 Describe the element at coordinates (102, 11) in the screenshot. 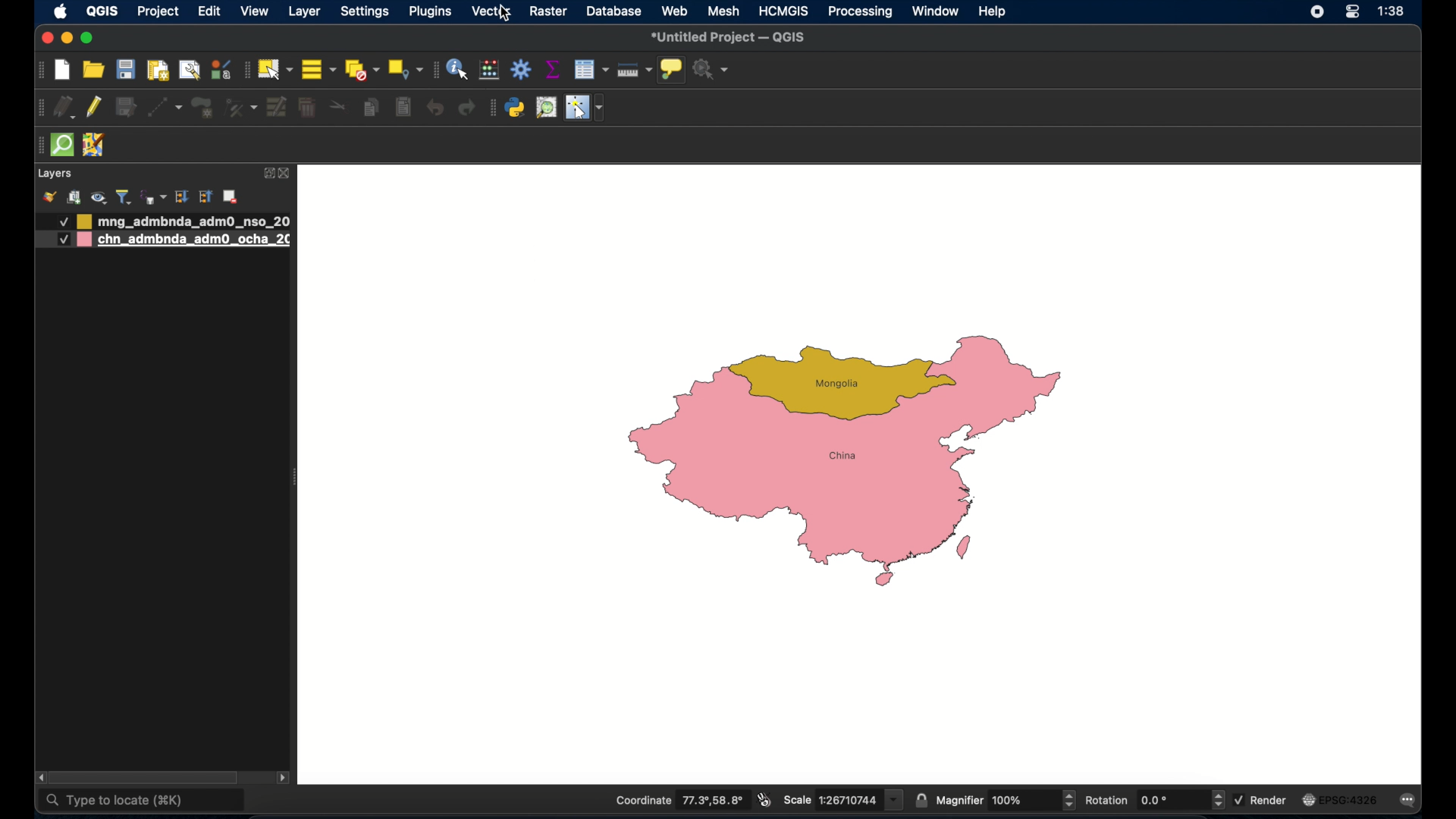

I see `QGIS` at that location.